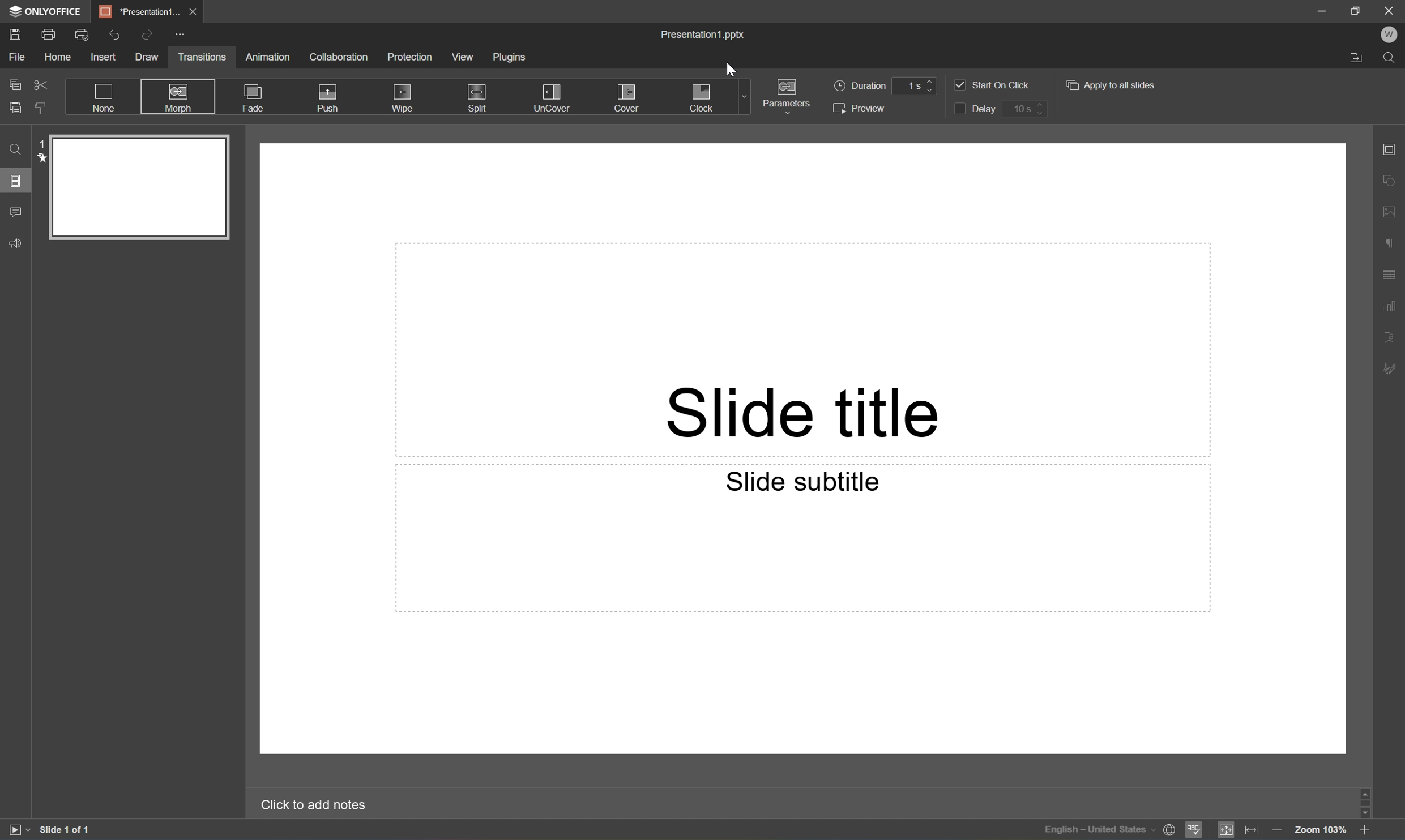 This screenshot has height=840, width=1405. I want to click on Collaboration, so click(338, 57).